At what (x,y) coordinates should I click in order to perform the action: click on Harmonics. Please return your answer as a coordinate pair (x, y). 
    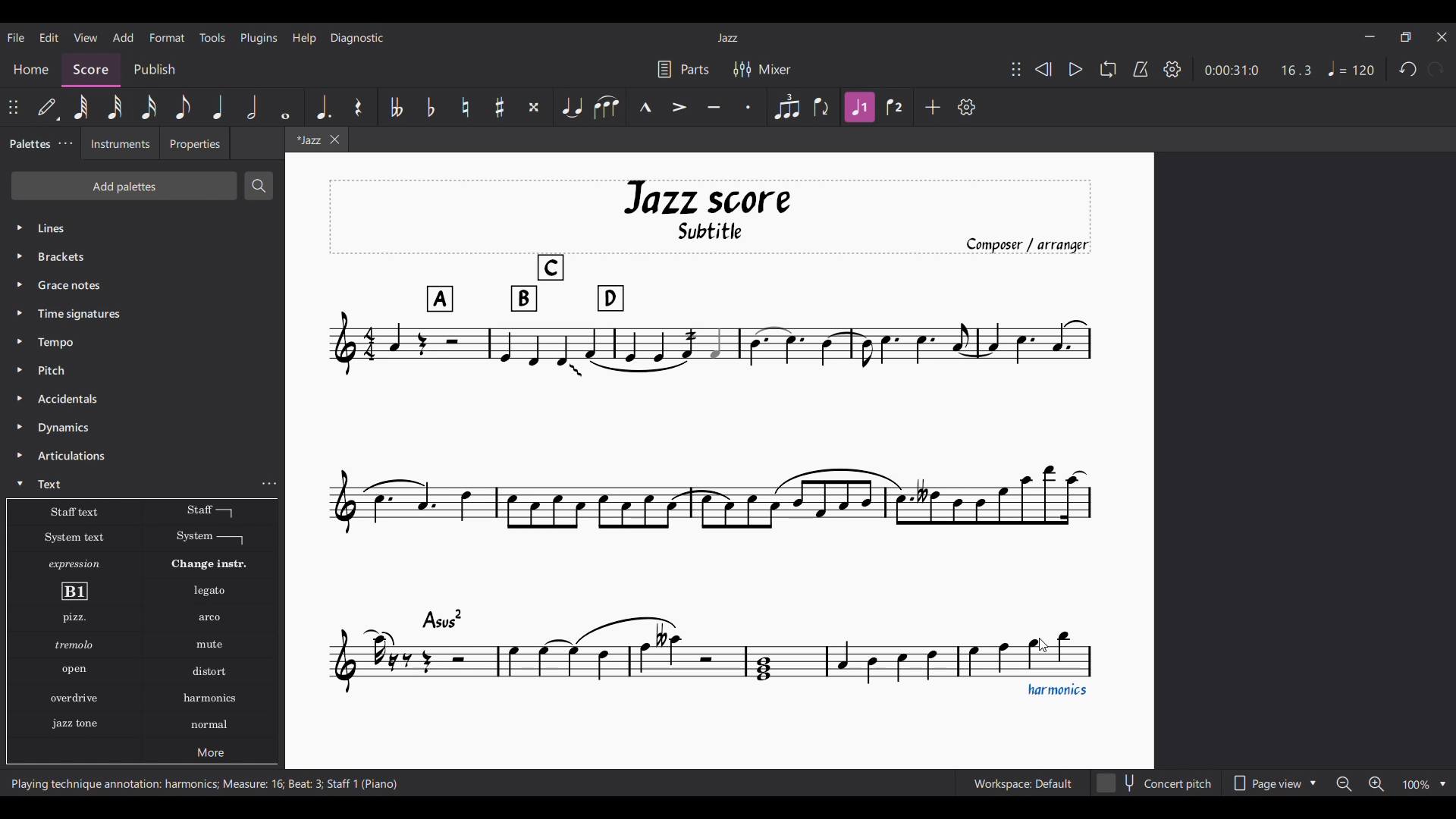
    Looking at the image, I should click on (215, 730).